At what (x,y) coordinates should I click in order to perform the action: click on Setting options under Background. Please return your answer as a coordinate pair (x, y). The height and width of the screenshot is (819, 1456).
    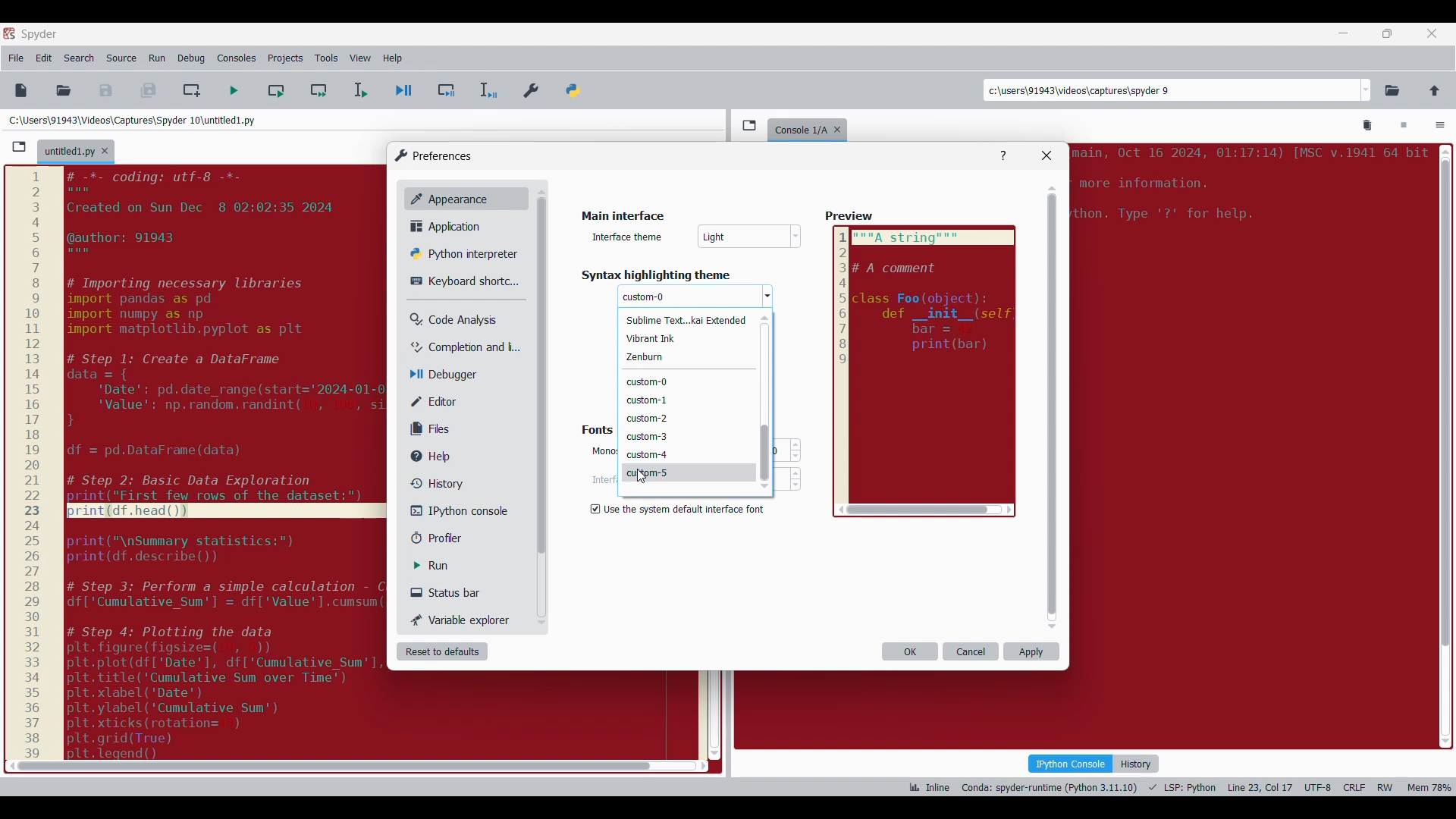
    Looking at the image, I should click on (681, 507).